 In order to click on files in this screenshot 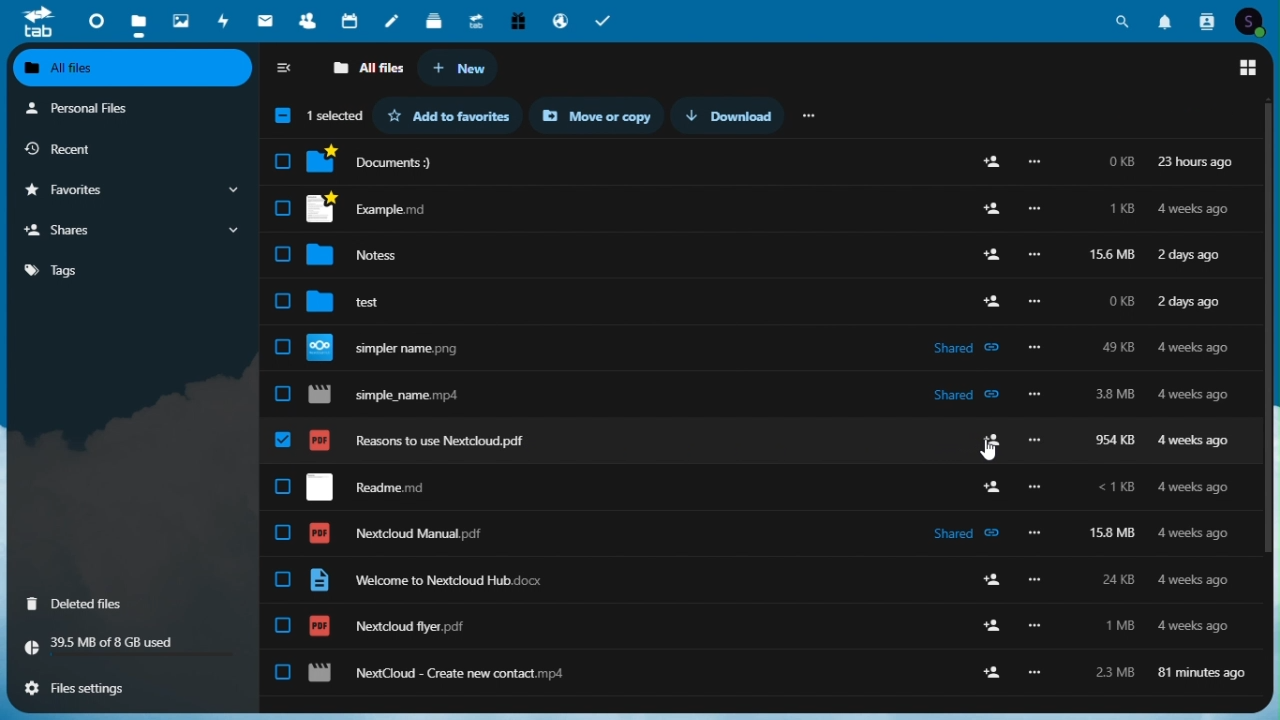, I will do `click(139, 21)`.